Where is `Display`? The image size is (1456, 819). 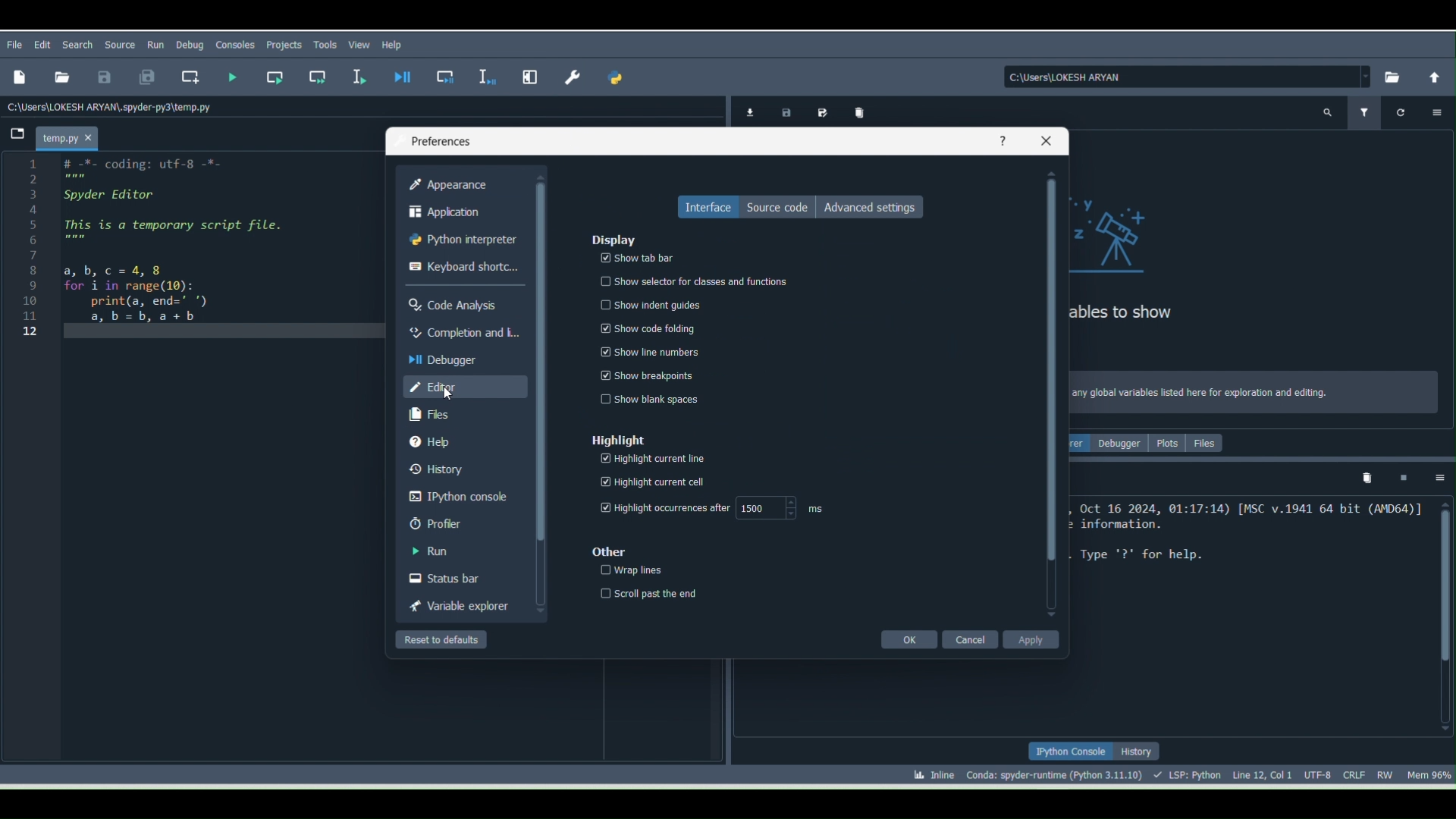 Display is located at coordinates (616, 238).